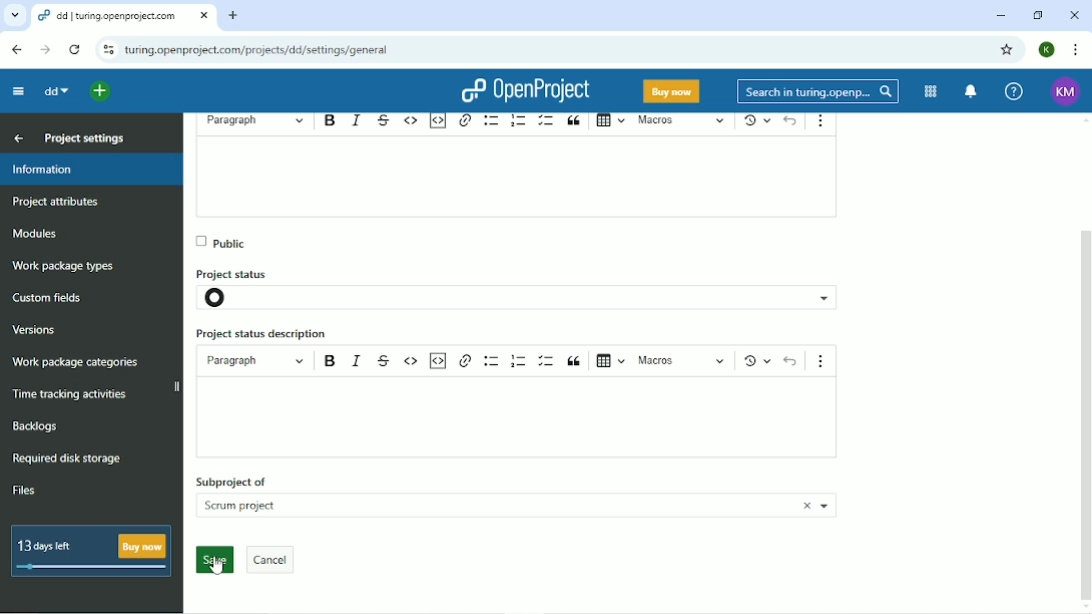  Describe the element at coordinates (1076, 50) in the screenshot. I see `Customize and control google chrome` at that location.